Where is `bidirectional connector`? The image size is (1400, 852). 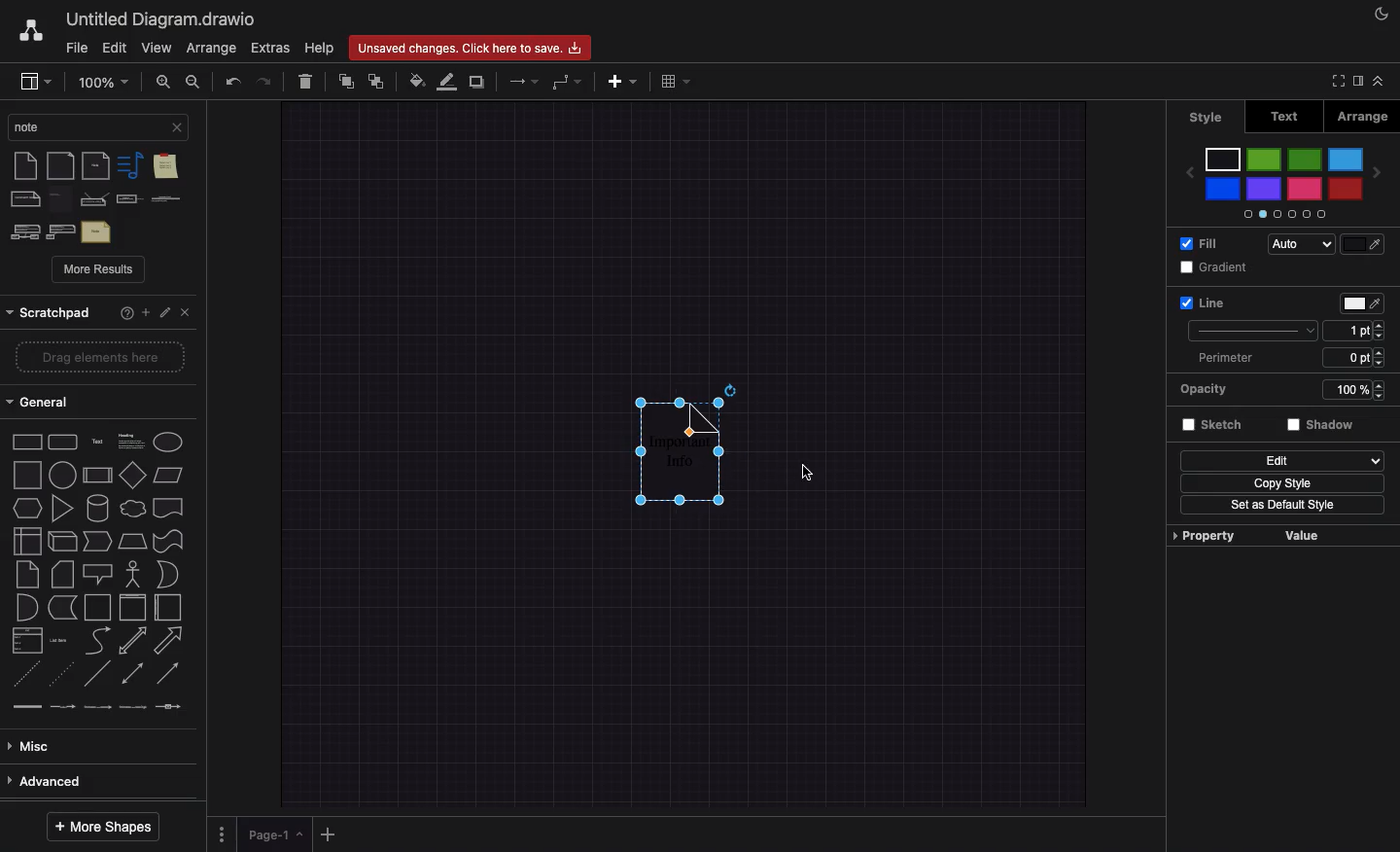
bidirectional connector is located at coordinates (133, 676).